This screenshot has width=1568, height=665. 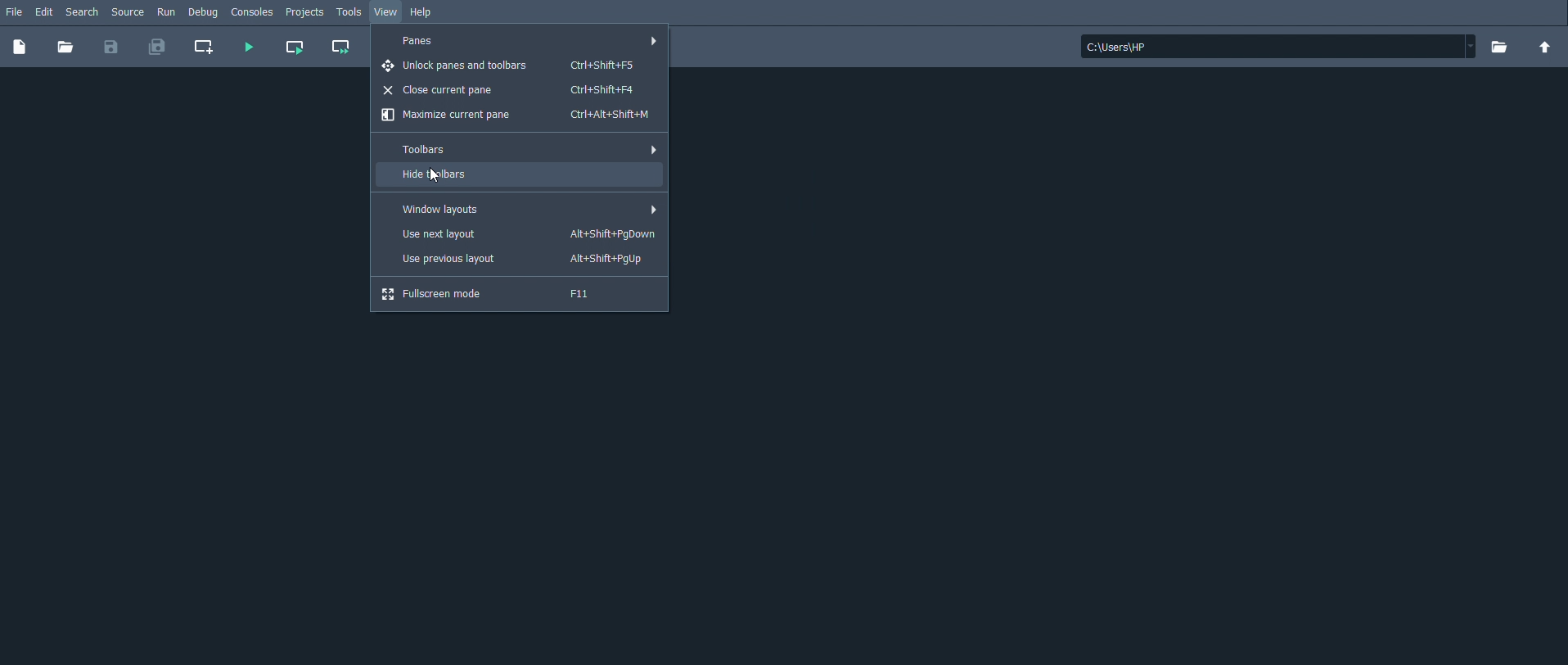 I want to click on Debug, so click(x=204, y=14).